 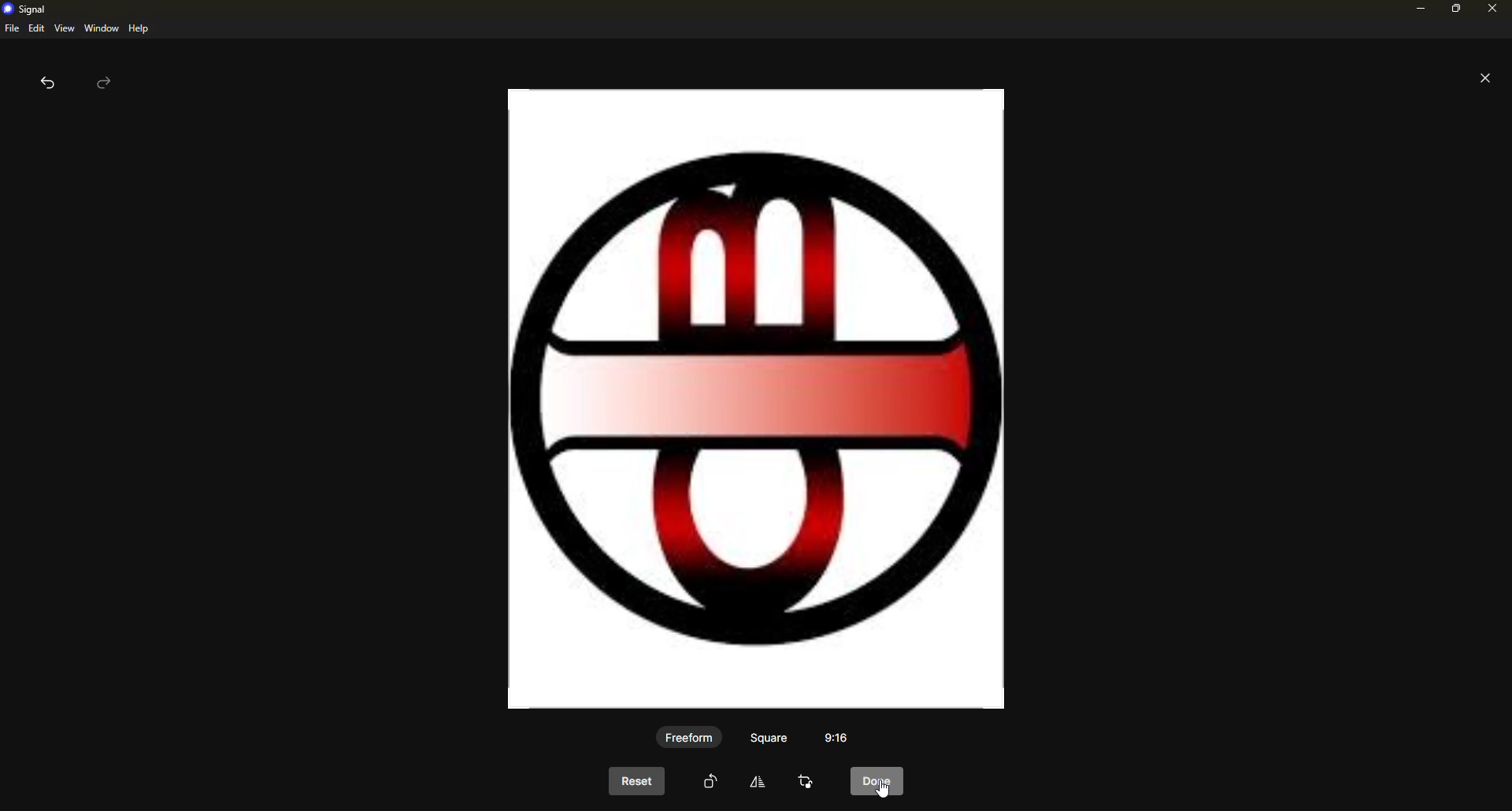 I want to click on reset, so click(x=636, y=781).